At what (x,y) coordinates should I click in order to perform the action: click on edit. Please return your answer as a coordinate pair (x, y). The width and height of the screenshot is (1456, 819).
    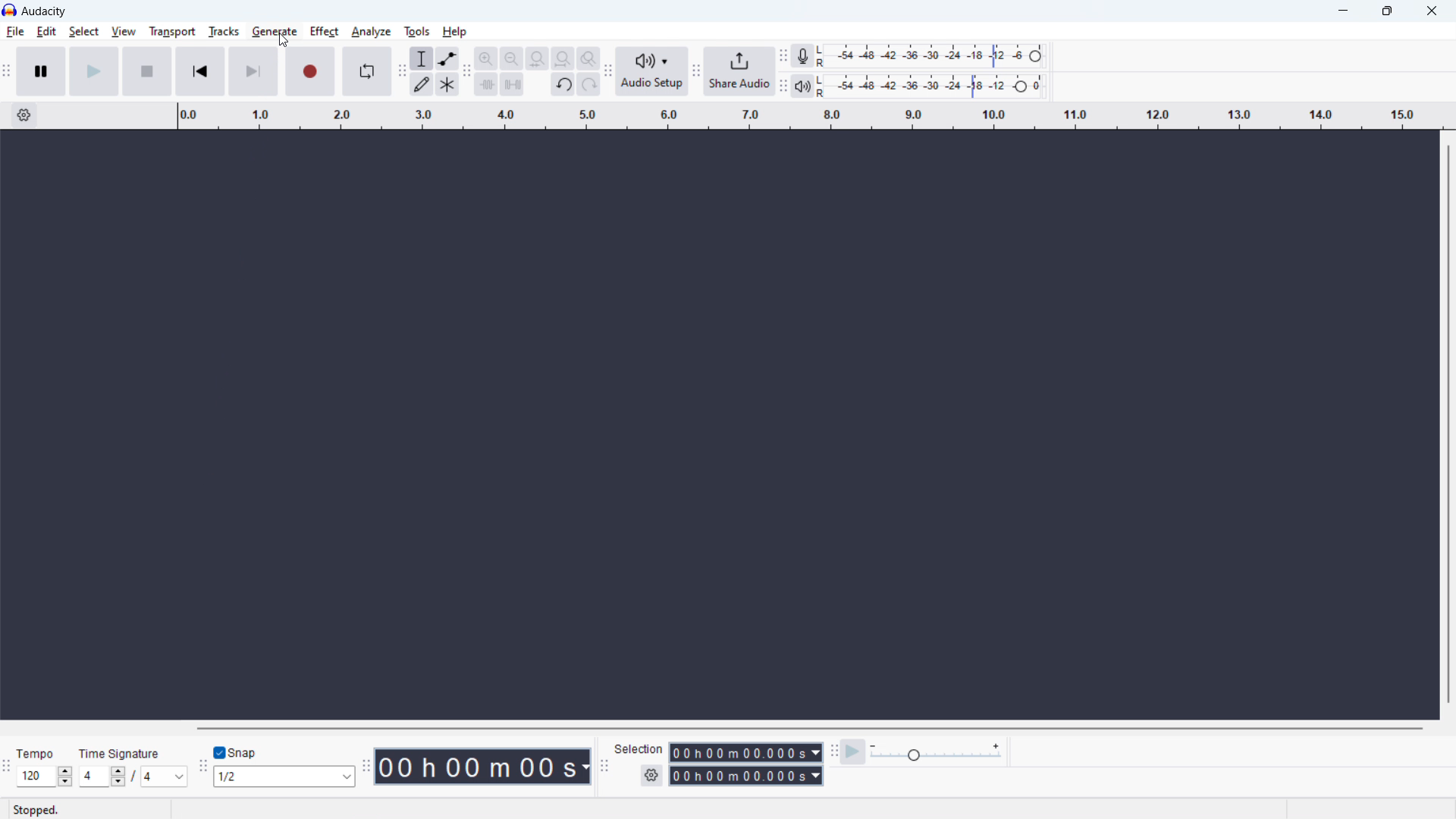
    Looking at the image, I should click on (46, 31).